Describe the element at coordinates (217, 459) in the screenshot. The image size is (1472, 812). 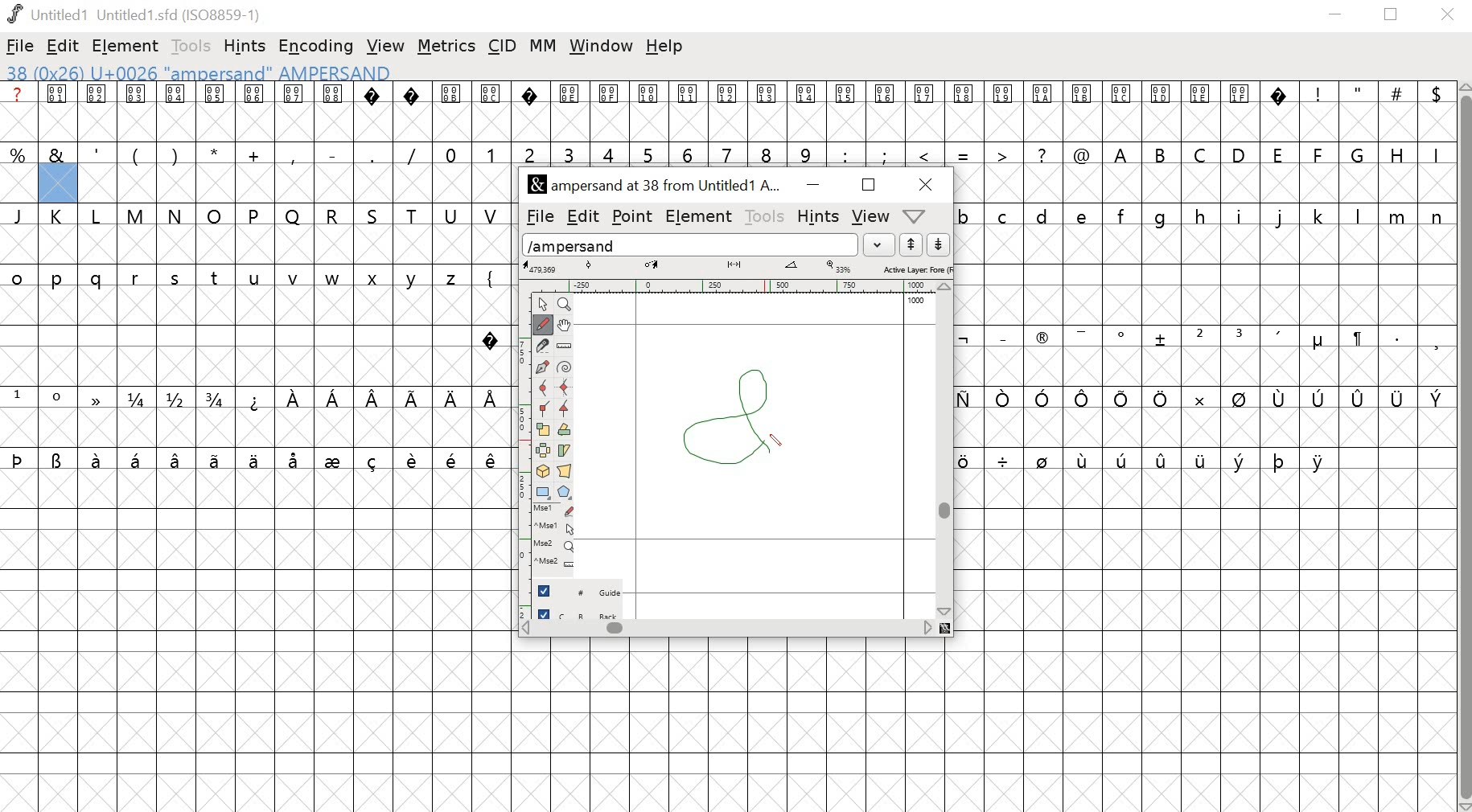
I see `symbol` at that location.